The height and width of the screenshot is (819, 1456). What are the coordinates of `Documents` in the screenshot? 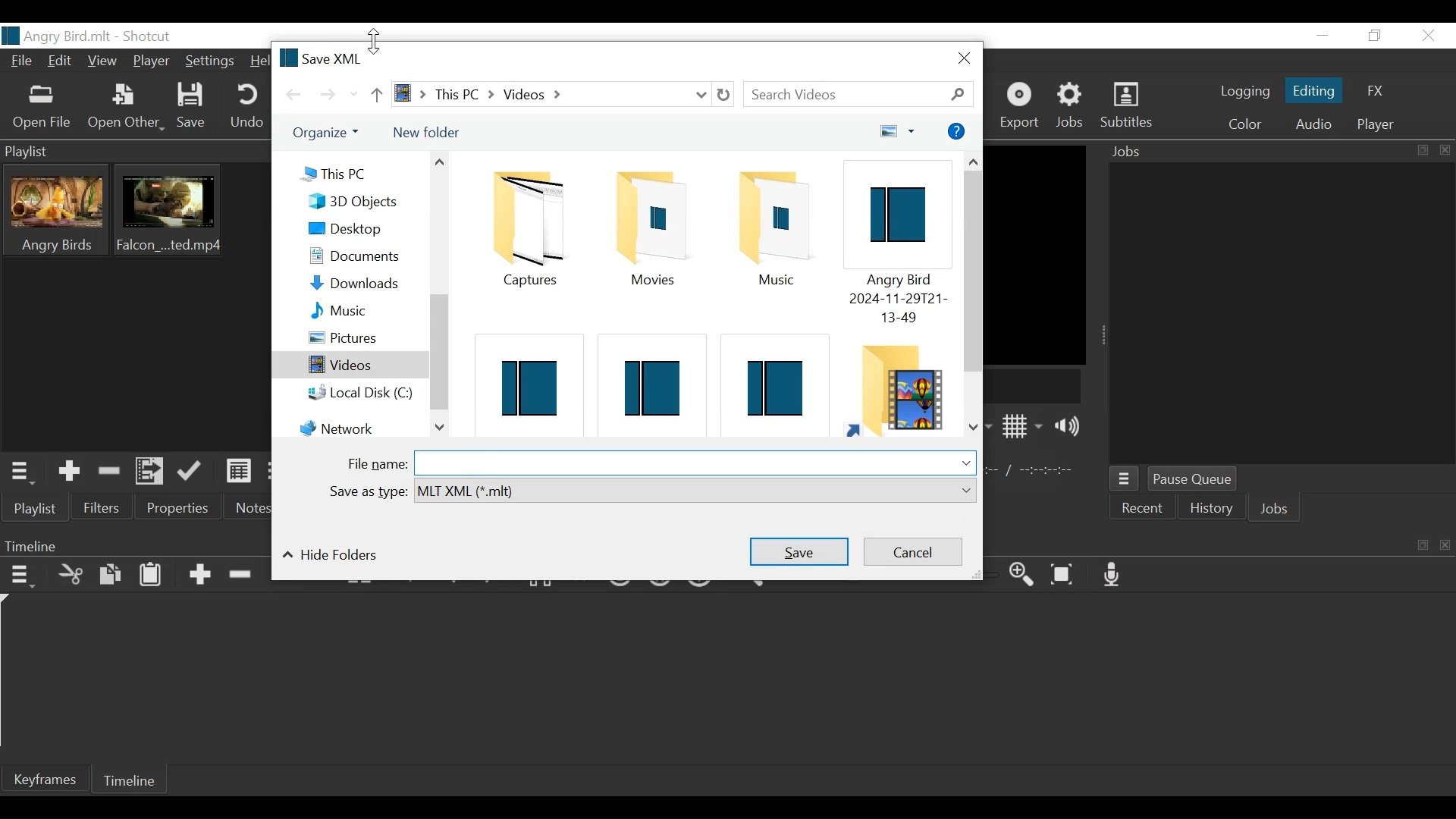 It's located at (362, 255).